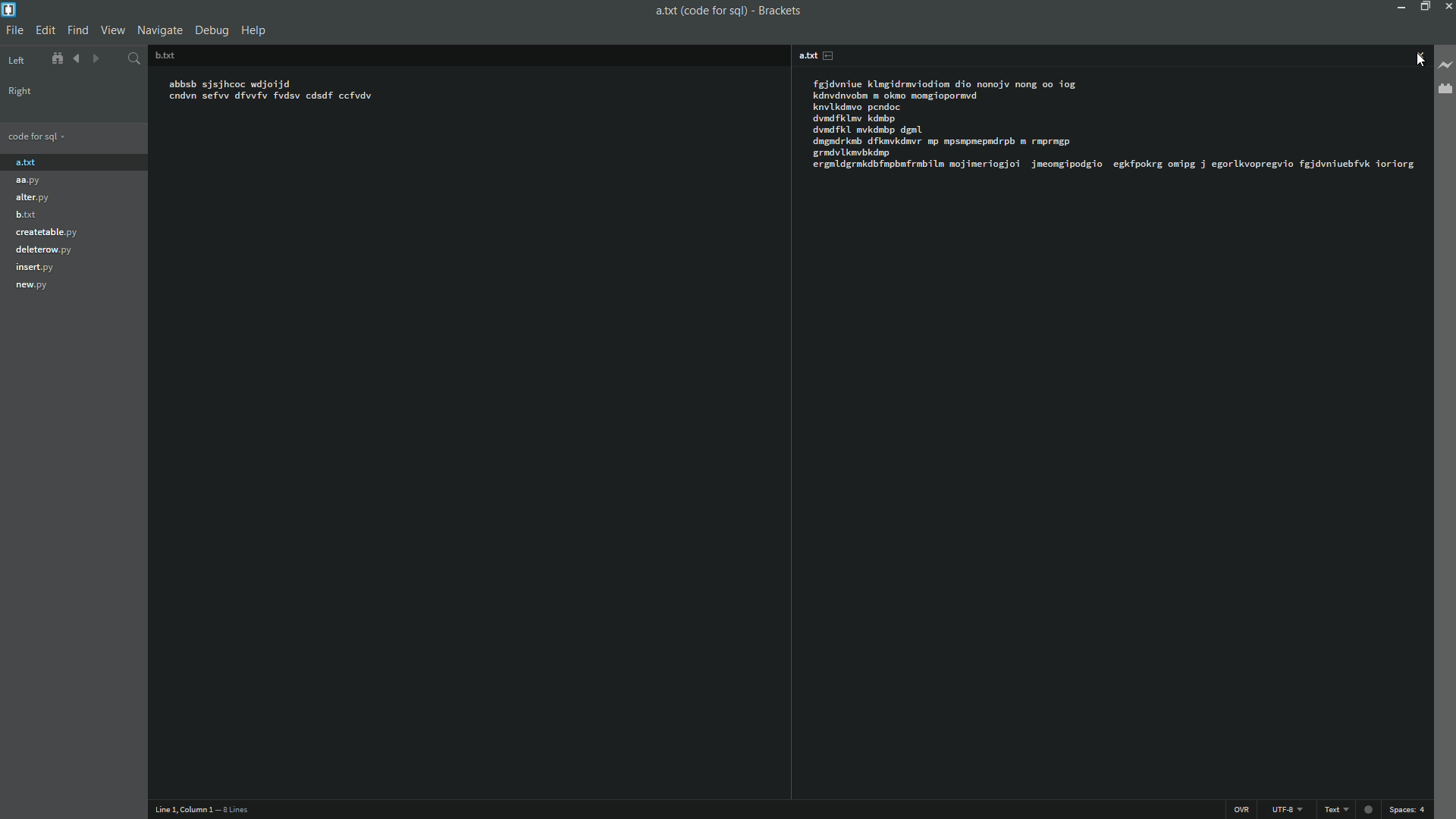 The image size is (1456, 819). What do you see at coordinates (95, 59) in the screenshot?
I see `navigate forward` at bounding box center [95, 59].